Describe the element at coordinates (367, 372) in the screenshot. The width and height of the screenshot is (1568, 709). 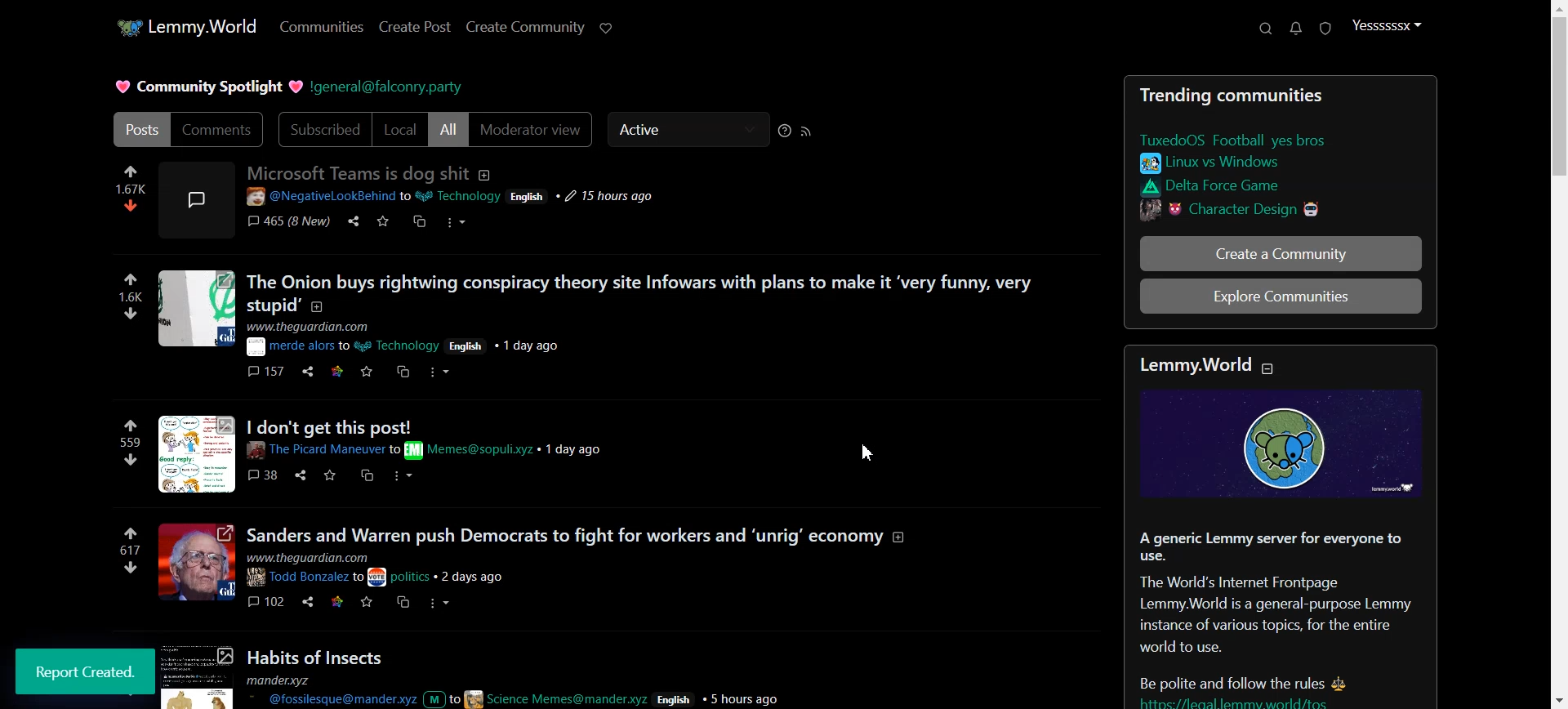
I see `save` at that location.